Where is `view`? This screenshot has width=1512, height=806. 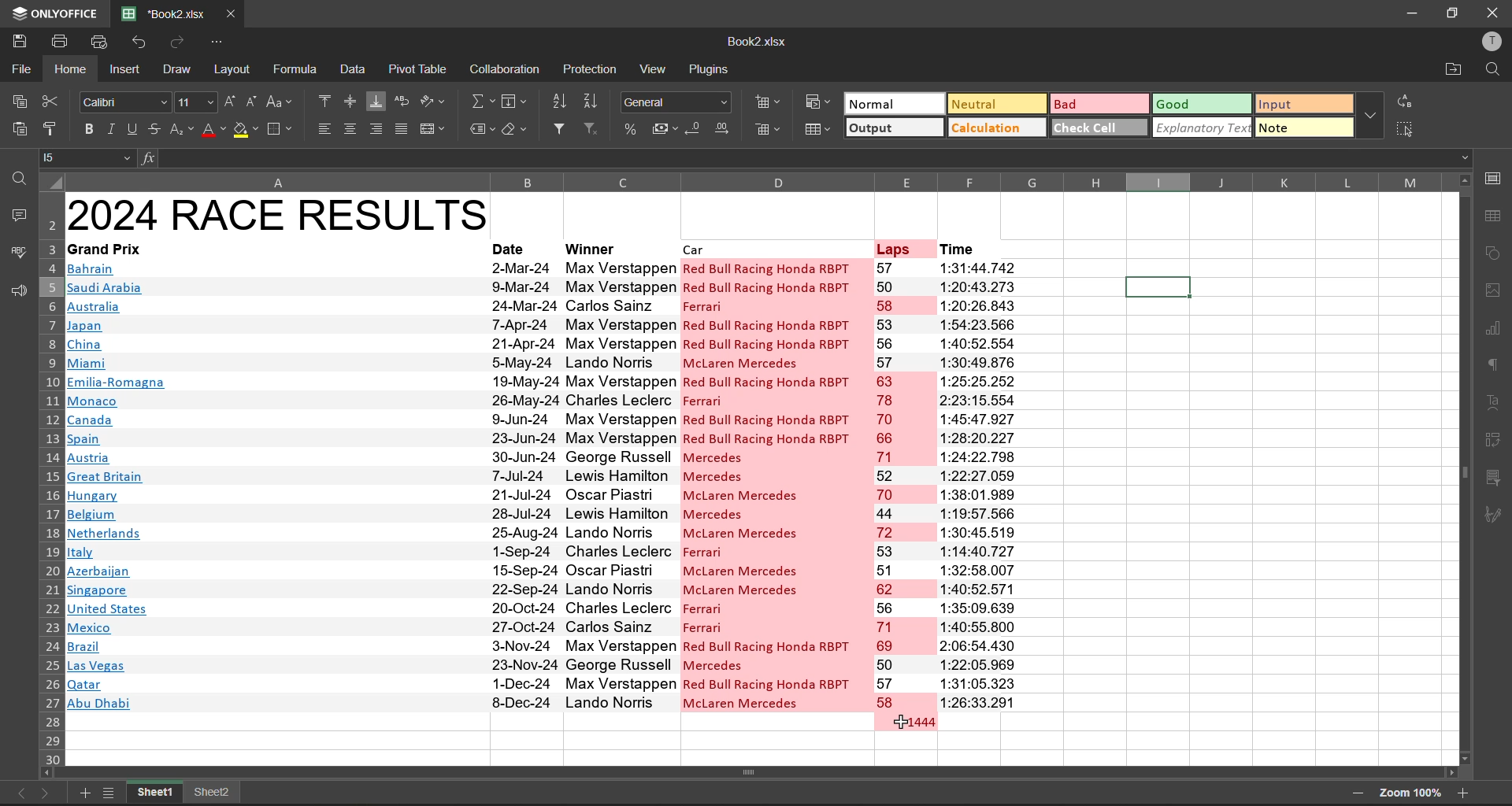
view is located at coordinates (656, 70).